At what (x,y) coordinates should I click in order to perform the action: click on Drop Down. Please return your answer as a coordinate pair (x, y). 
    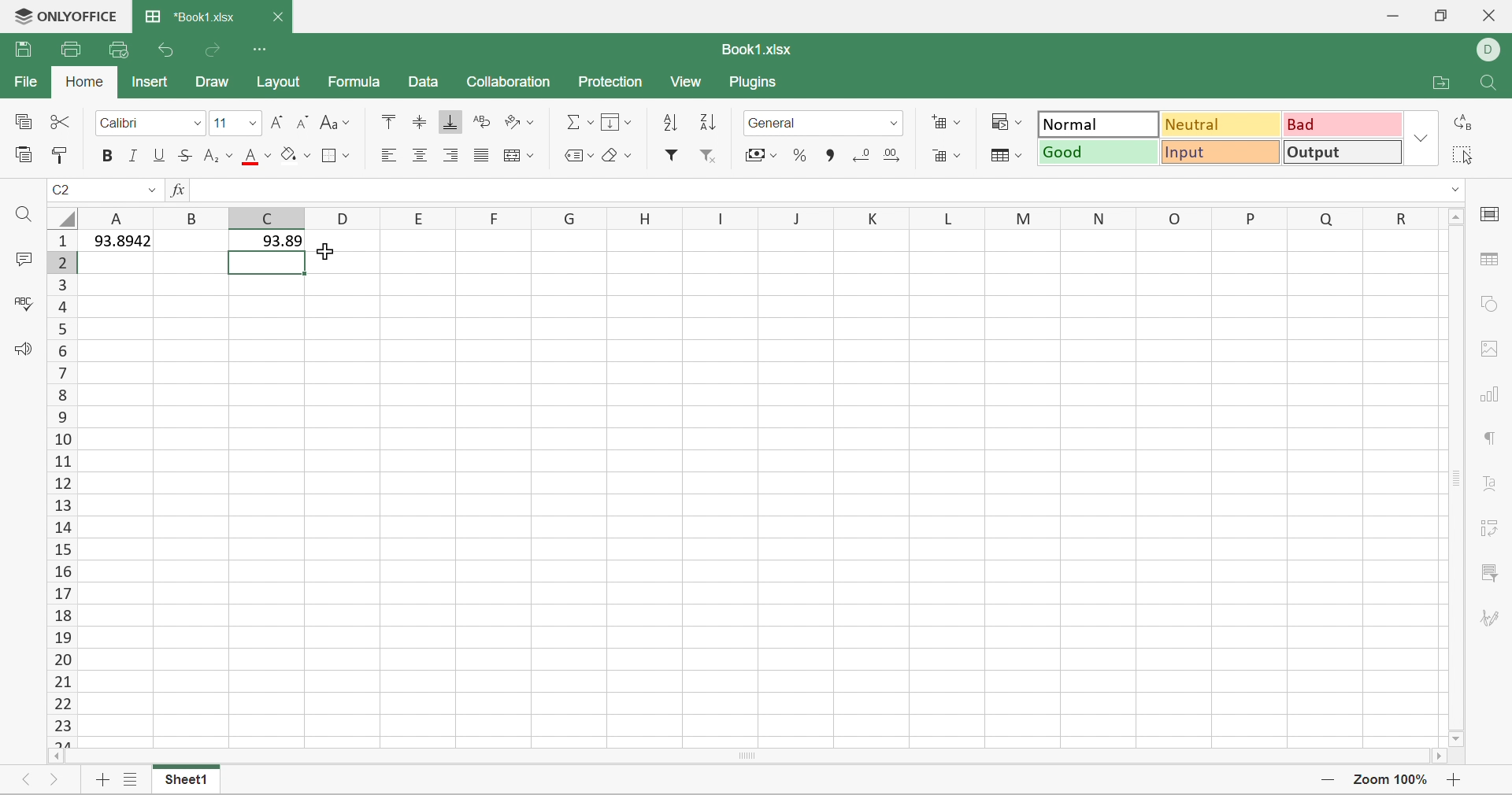
    Looking at the image, I should click on (1421, 138).